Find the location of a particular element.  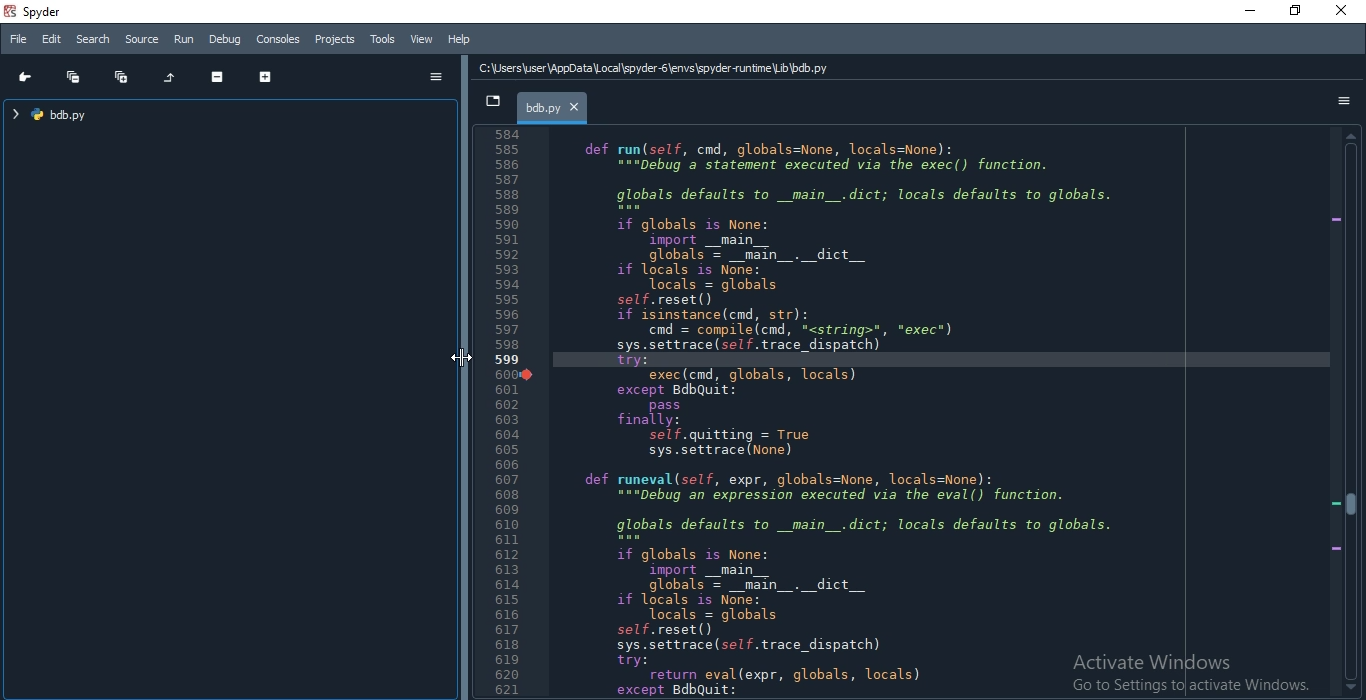

options is located at coordinates (1346, 104).